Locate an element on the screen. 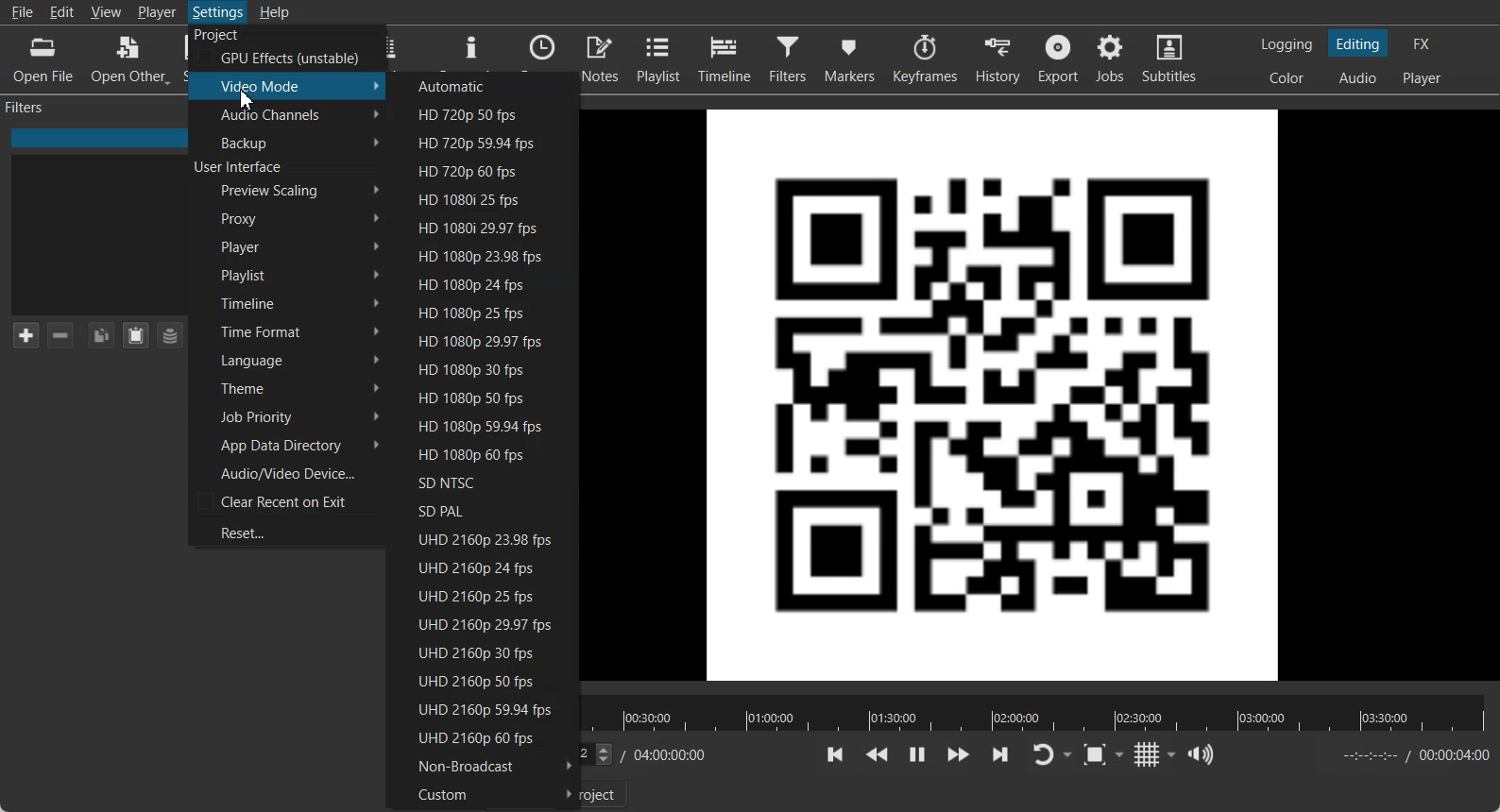 Image resolution: width=1500 pixels, height=812 pixels. Cursor is located at coordinates (247, 100).